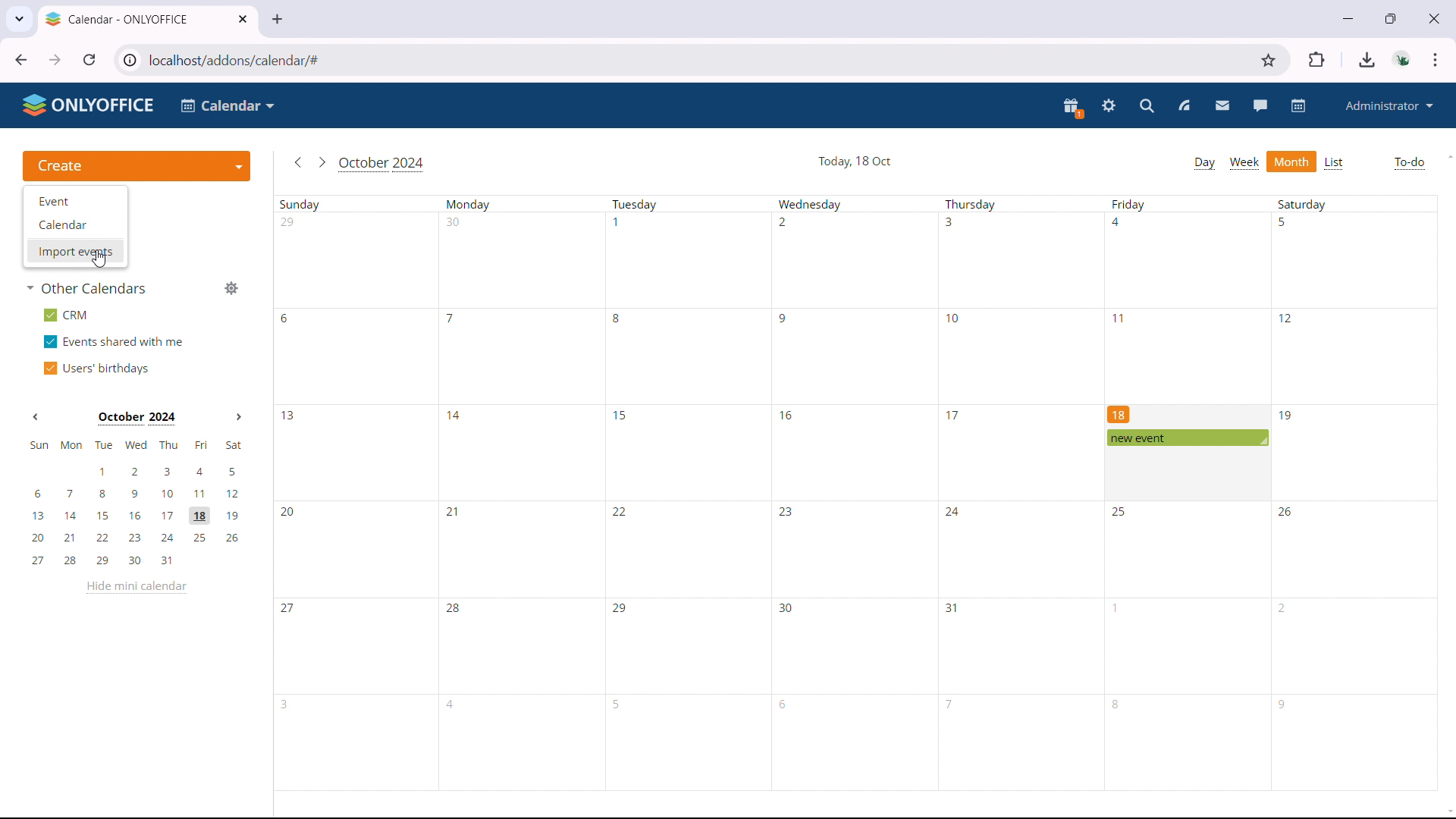 The height and width of the screenshot is (819, 1456). I want to click on Sunday, so click(303, 205).